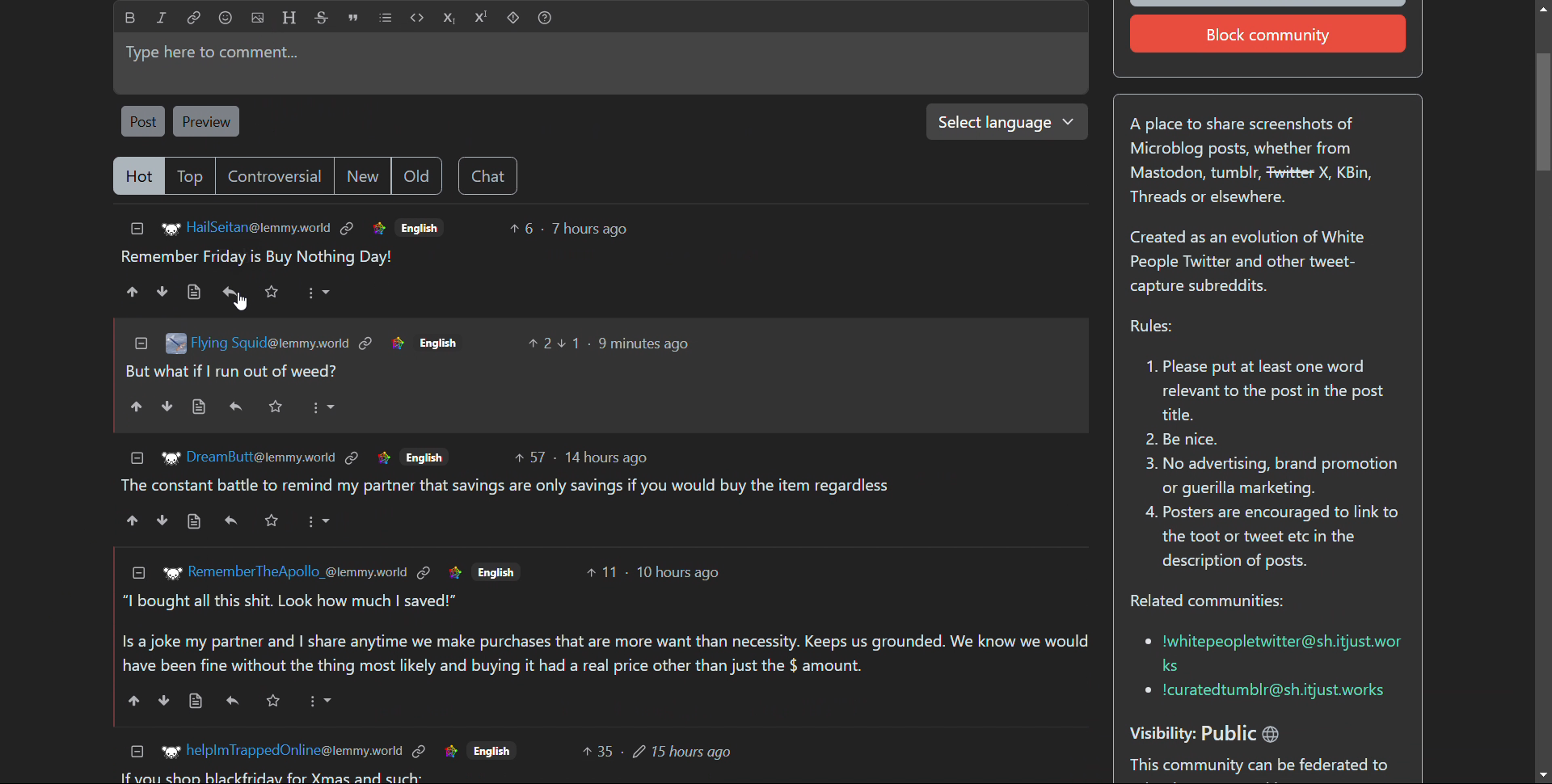  Describe the element at coordinates (234, 371) in the screenshot. I see `comment` at that location.